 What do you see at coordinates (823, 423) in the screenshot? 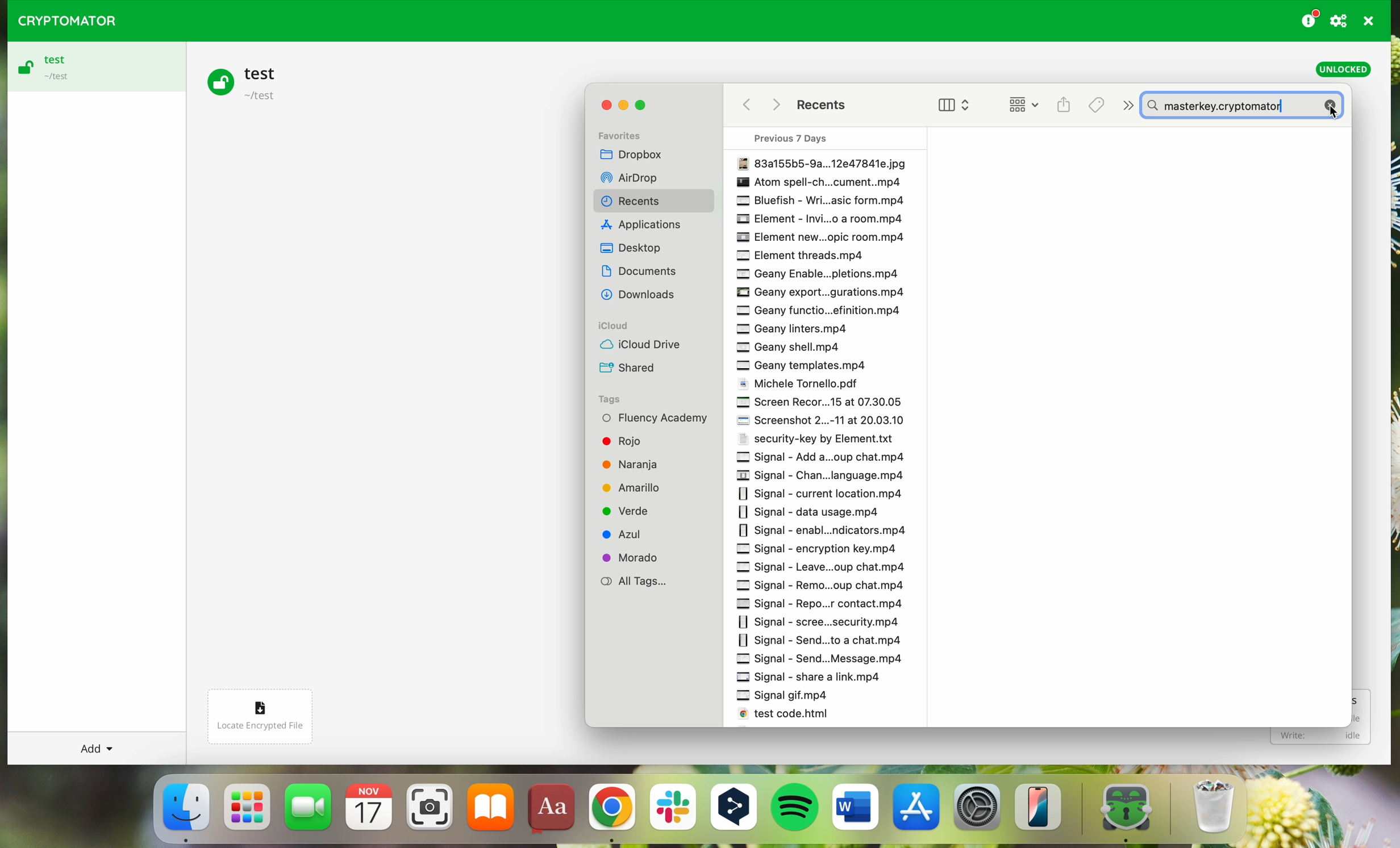
I see `Screenshot 2` at bounding box center [823, 423].